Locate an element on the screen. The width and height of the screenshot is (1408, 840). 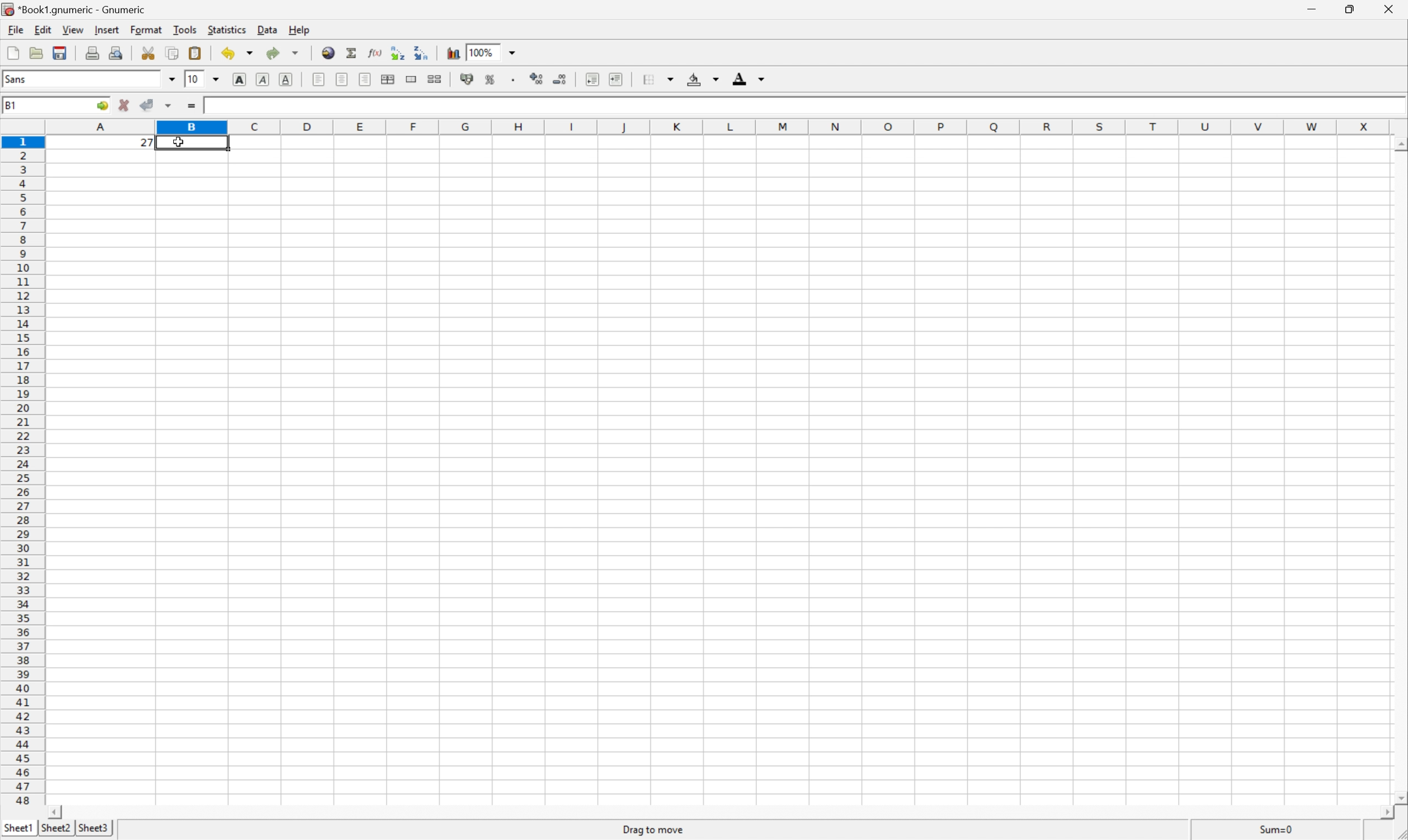
Split the merged ranges of cells is located at coordinates (434, 79).